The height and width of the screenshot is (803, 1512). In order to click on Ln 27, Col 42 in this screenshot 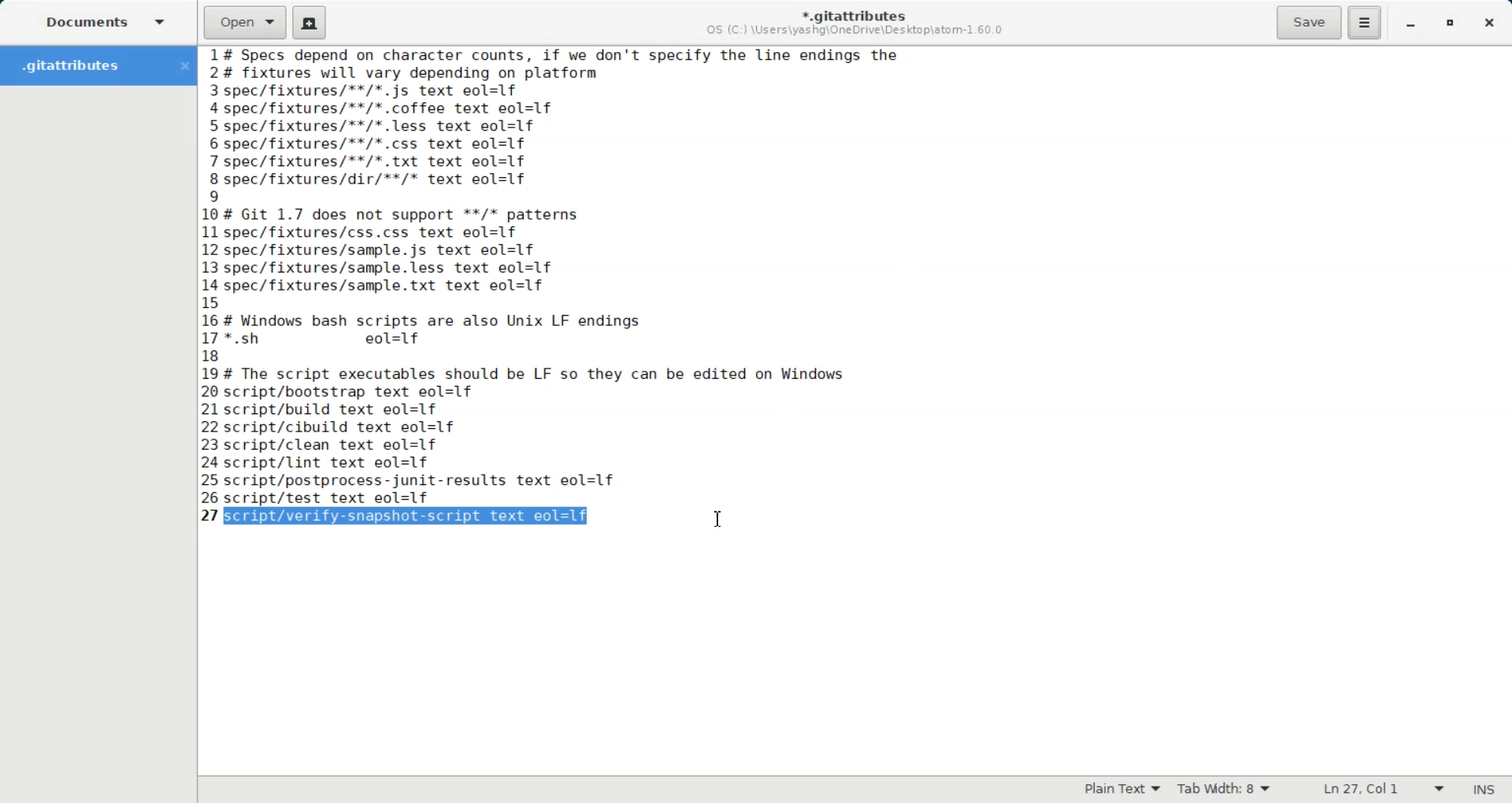, I will do `click(1377, 790)`.